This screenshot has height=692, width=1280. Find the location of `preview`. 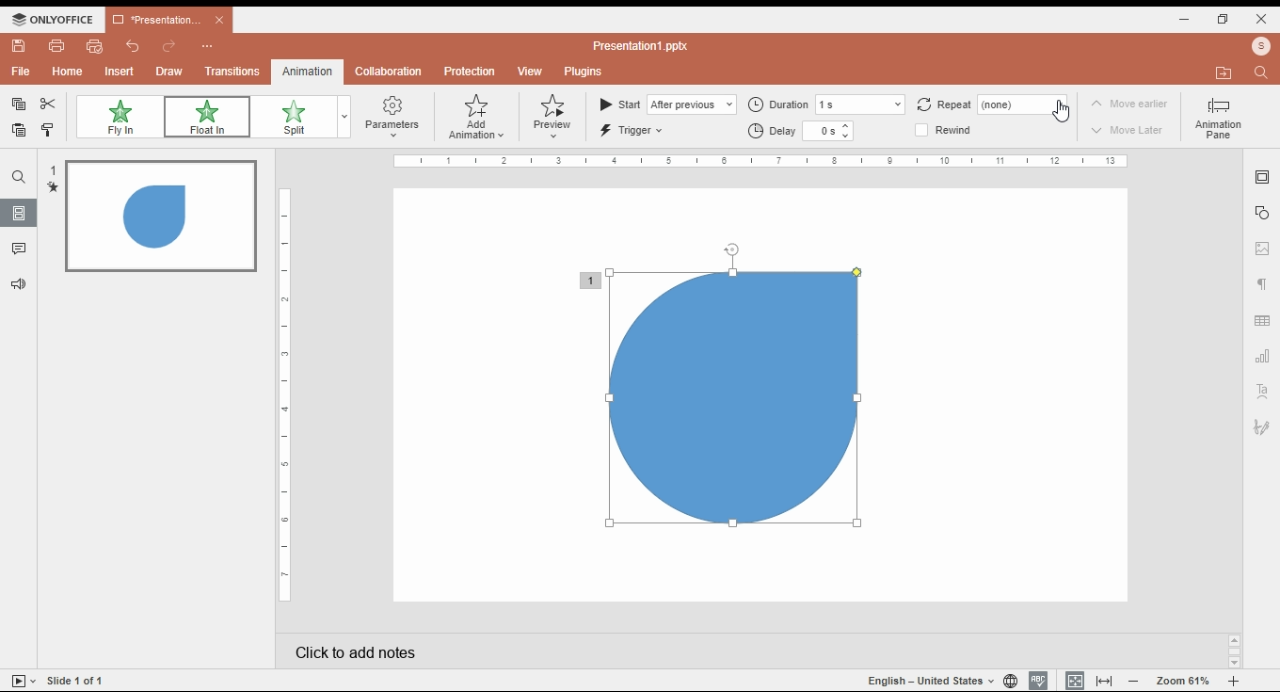

preview is located at coordinates (553, 117).